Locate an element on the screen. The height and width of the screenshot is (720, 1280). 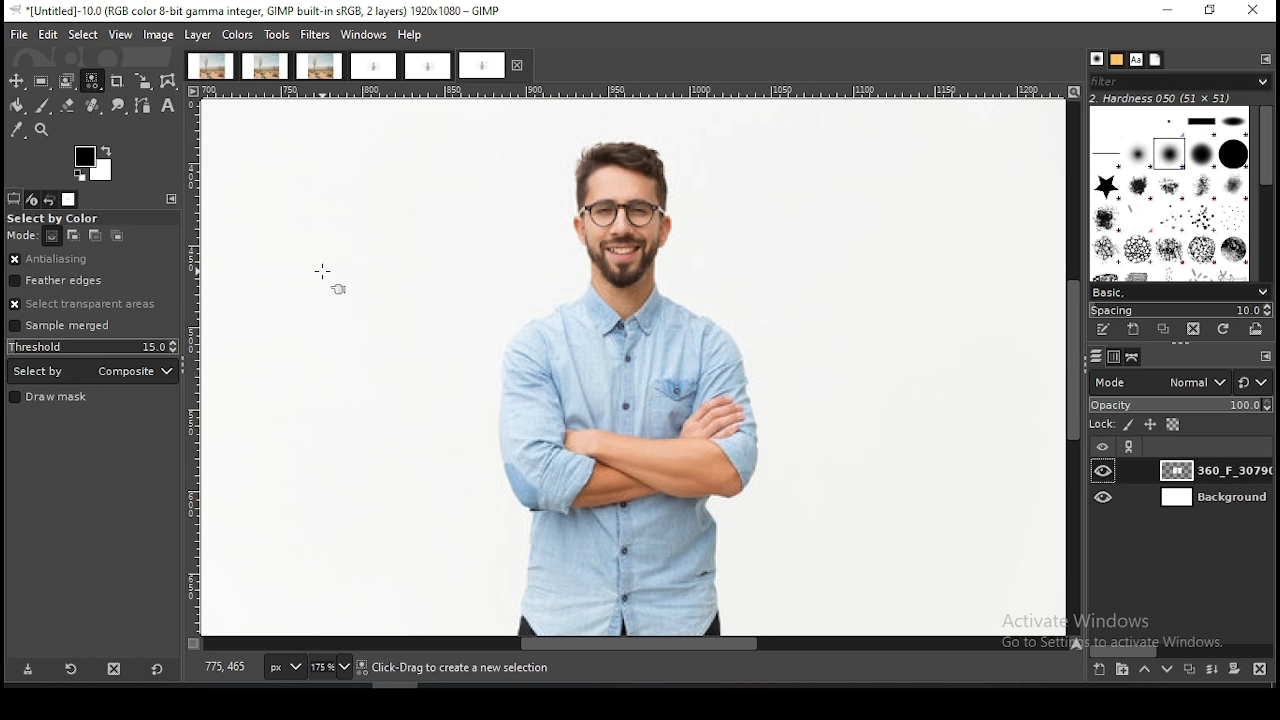
edit this brush is located at coordinates (1102, 330).